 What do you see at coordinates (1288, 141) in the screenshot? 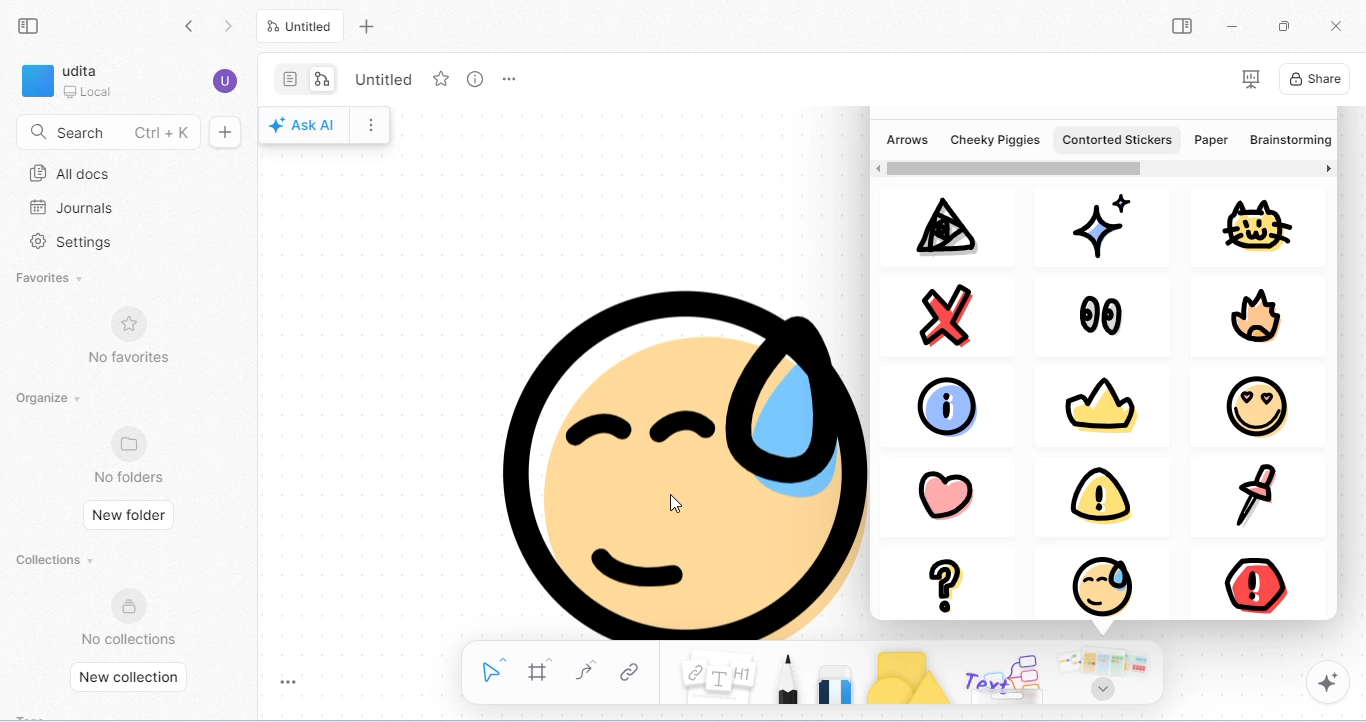
I see `brainstorming` at bounding box center [1288, 141].